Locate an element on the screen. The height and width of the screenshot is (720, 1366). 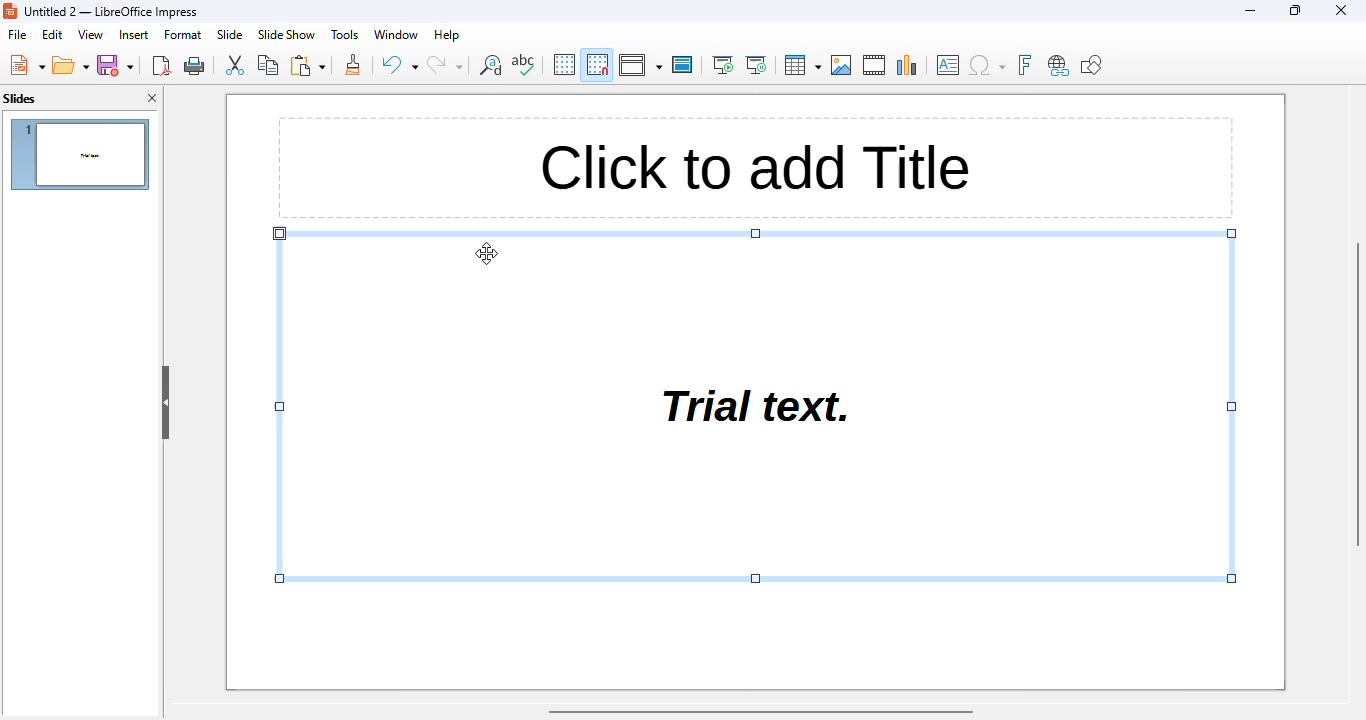
export directly as PDF is located at coordinates (162, 65).